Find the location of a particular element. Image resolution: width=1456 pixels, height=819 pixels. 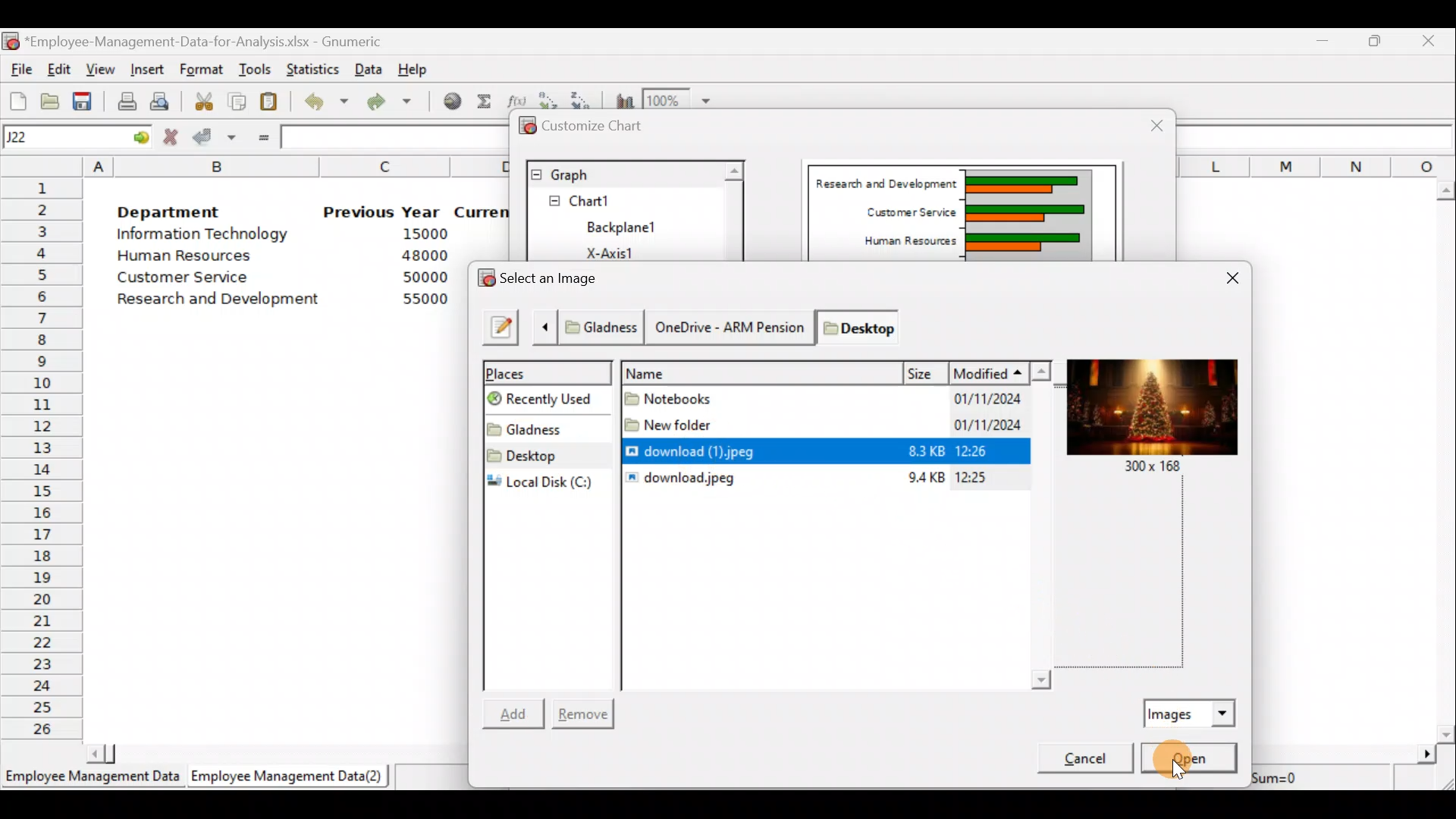

Recently used is located at coordinates (552, 400).